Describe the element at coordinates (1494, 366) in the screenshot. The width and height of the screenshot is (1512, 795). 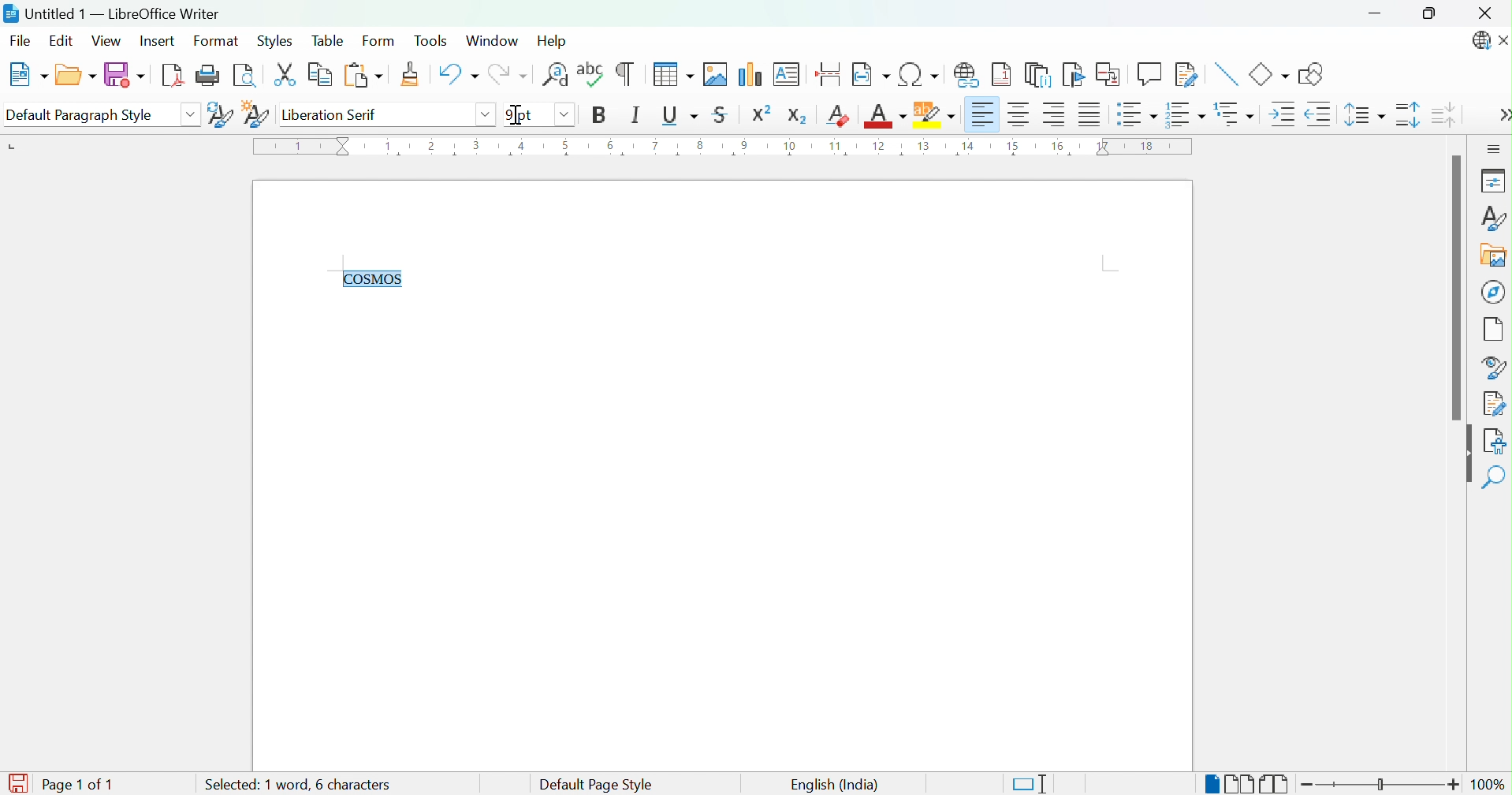
I see `Style Inspector` at that location.